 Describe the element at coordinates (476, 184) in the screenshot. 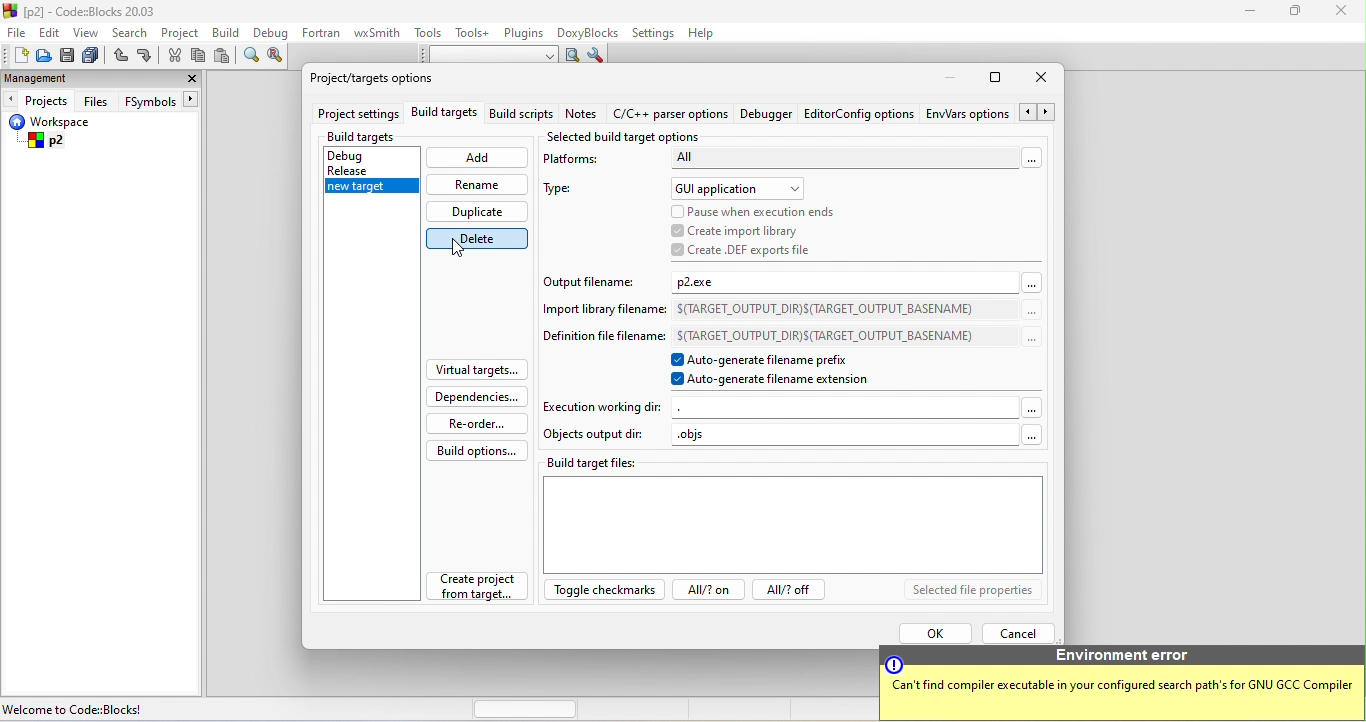

I see `rename` at that location.